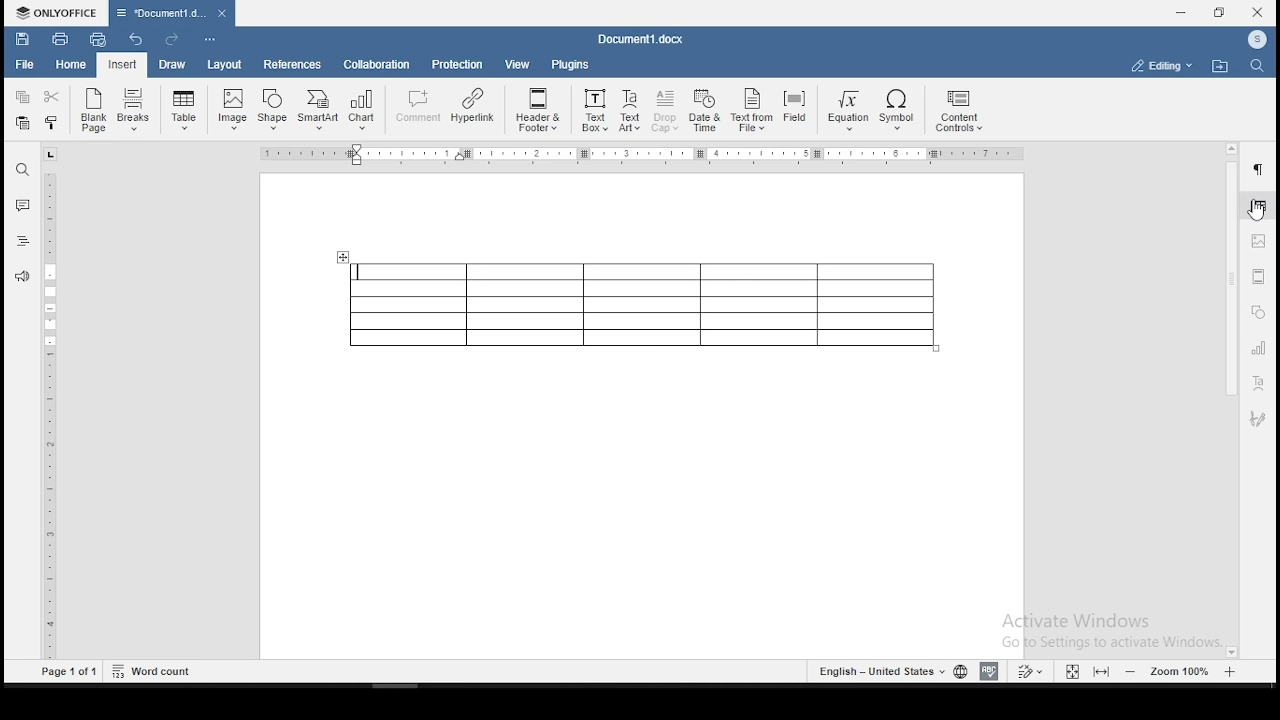 Image resolution: width=1280 pixels, height=720 pixels. What do you see at coordinates (889, 670) in the screenshot?
I see `languages` at bounding box center [889, 670].